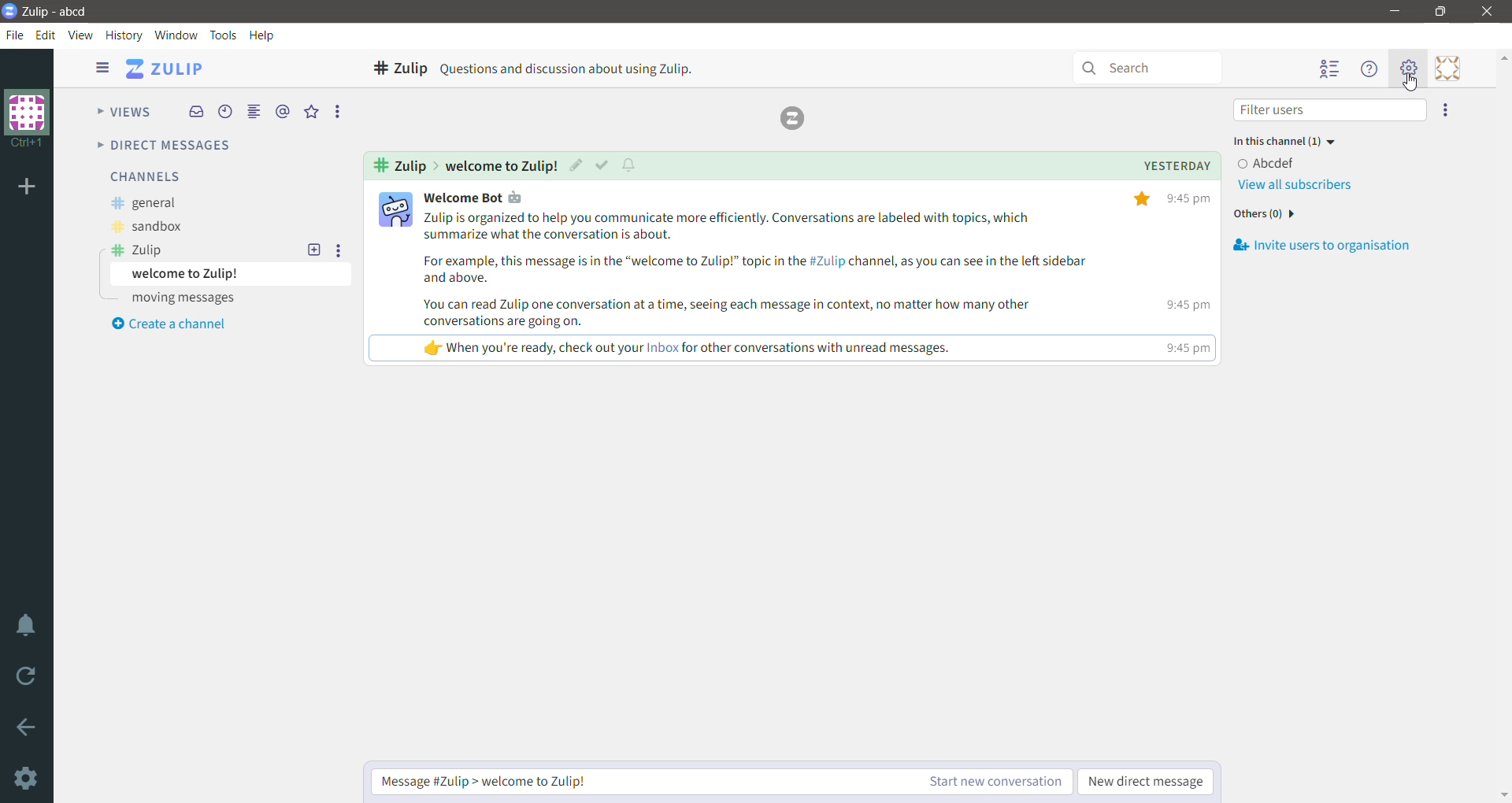  I want to click on Edit topic, so click(578, 164).